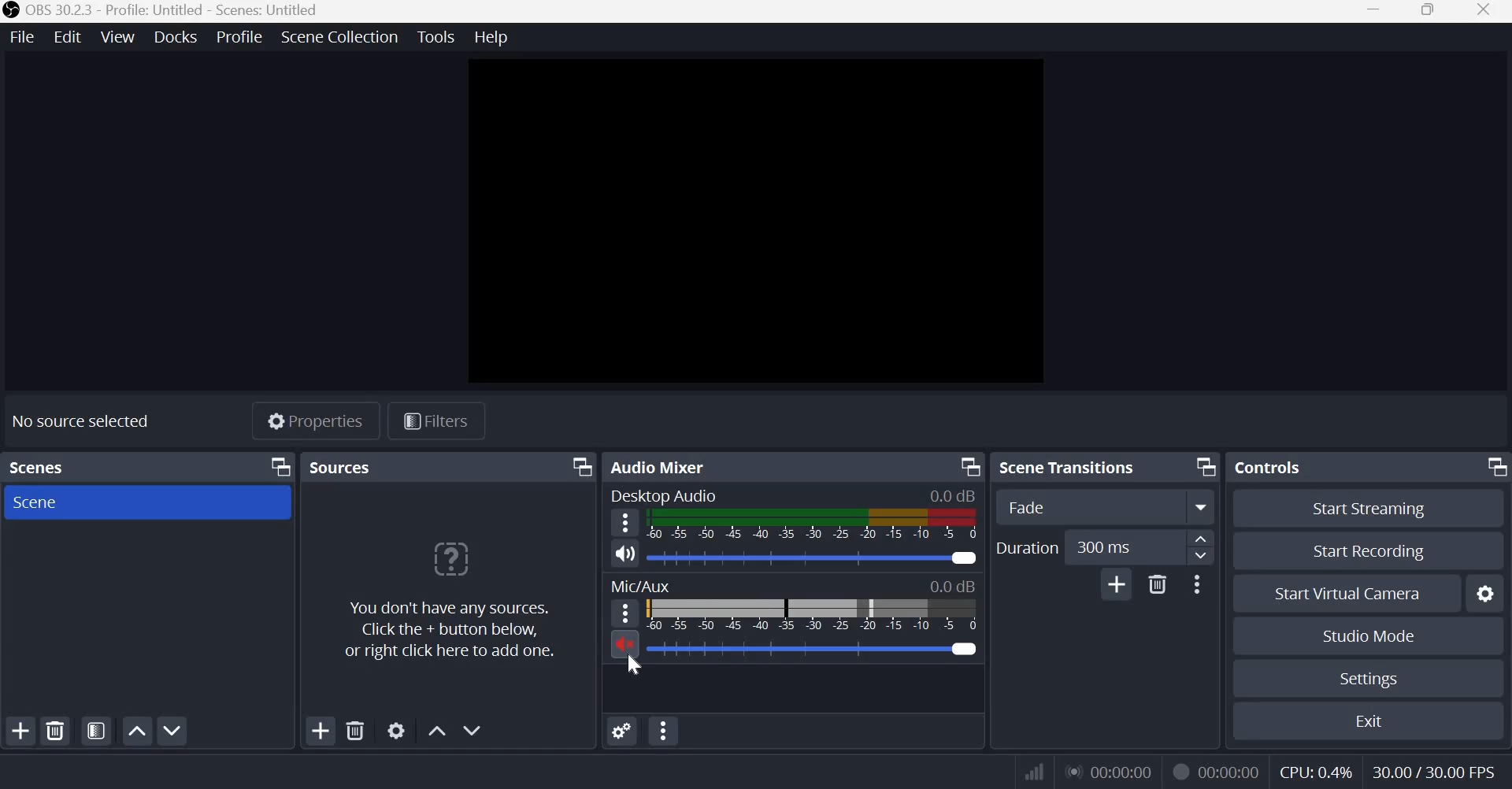  I want to click on hamburger menu, so click(624, 612).